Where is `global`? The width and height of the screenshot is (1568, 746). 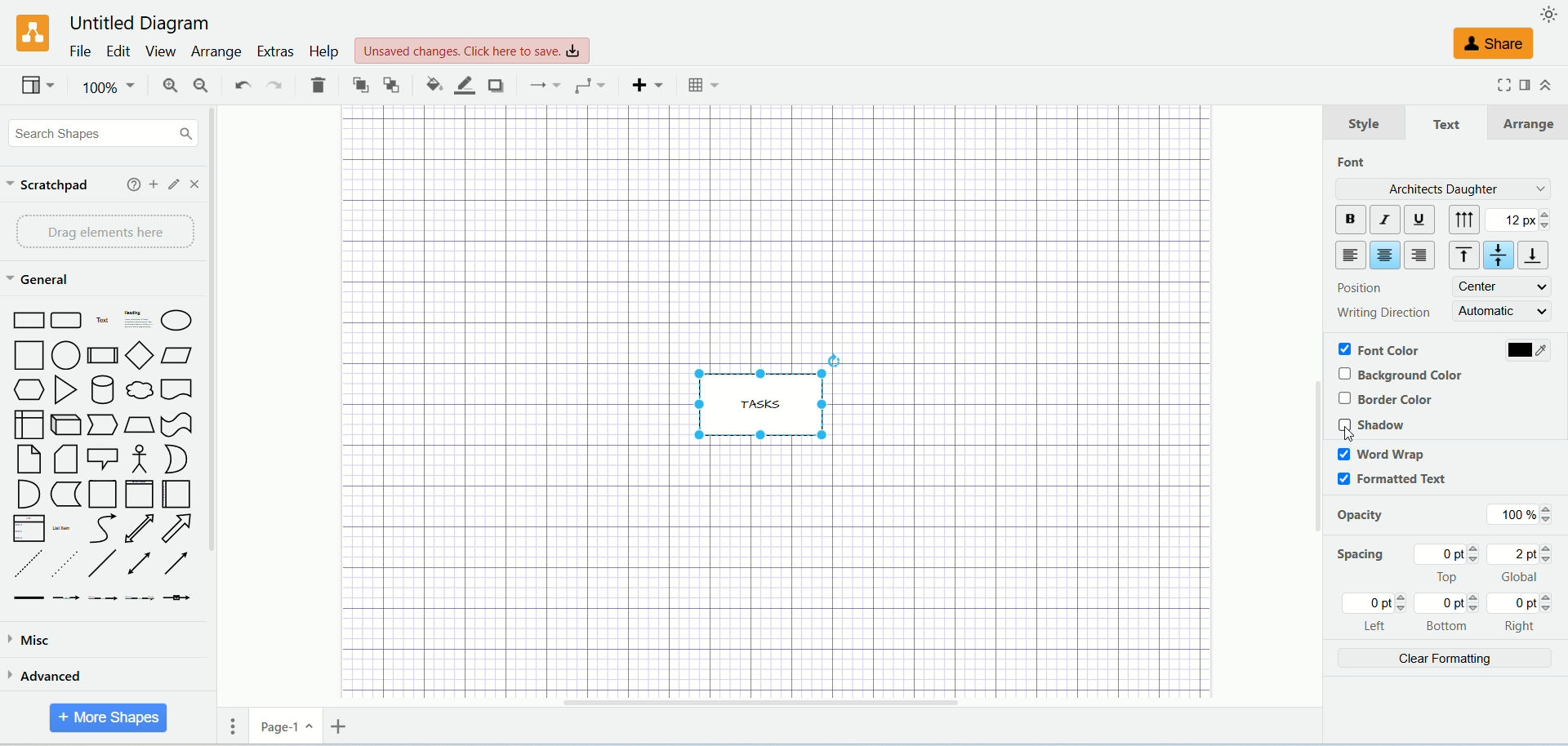
global is located at coordinates (1522, 564).